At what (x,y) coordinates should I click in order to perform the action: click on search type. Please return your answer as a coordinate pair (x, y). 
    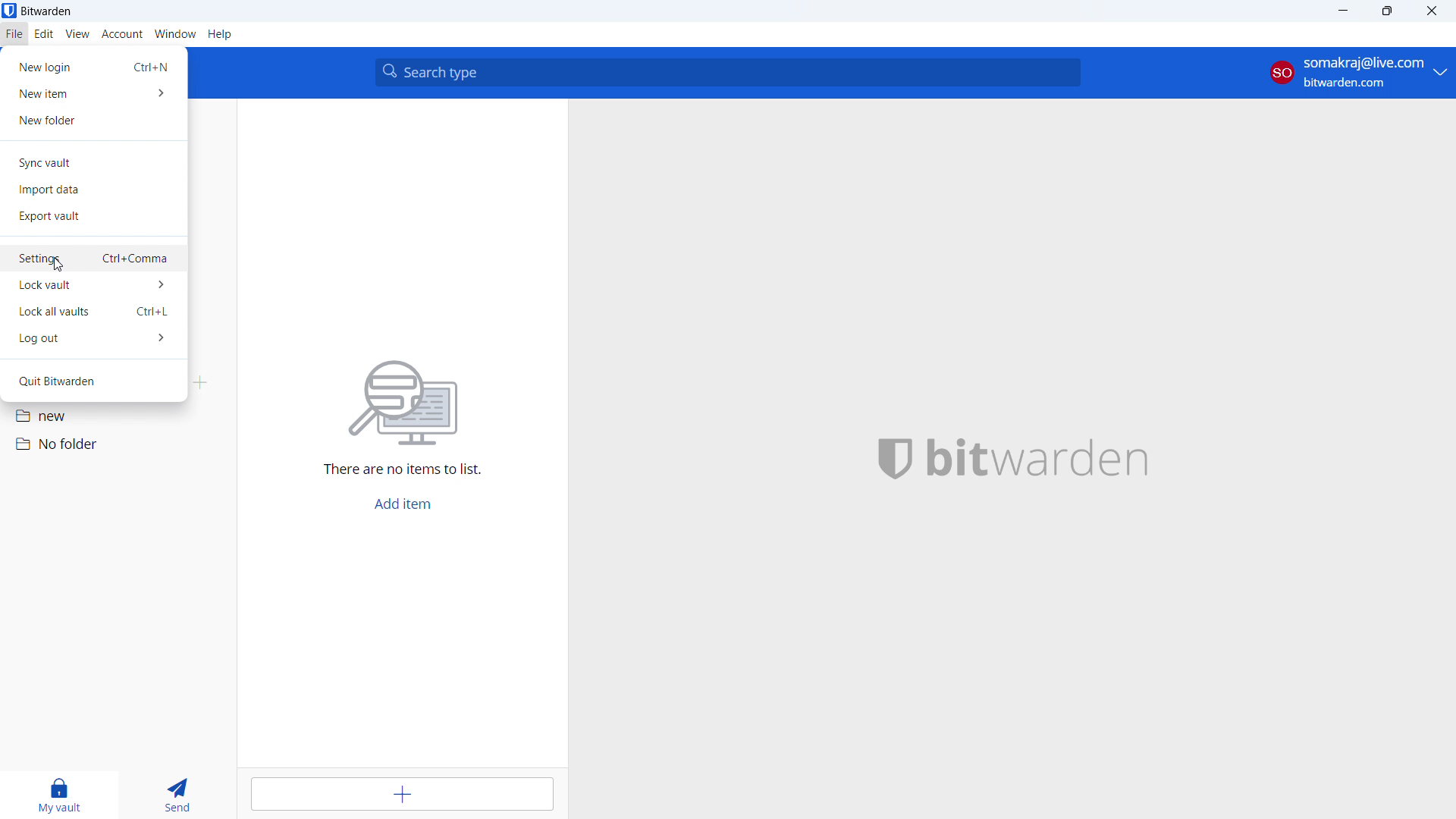
    Looking at the image, I should click on (728, 73).